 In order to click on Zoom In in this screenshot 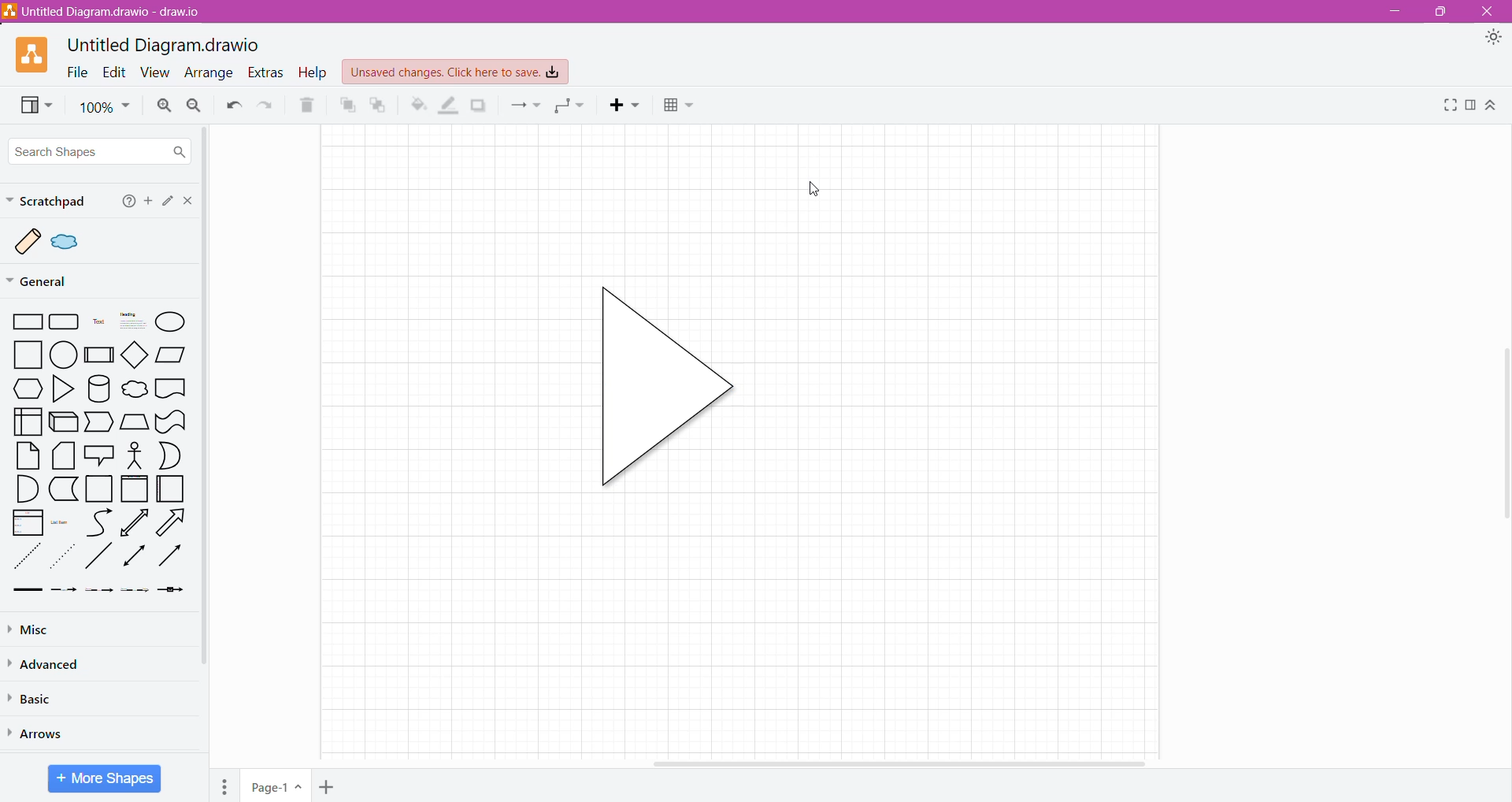, I will do `click(164, 106)`.